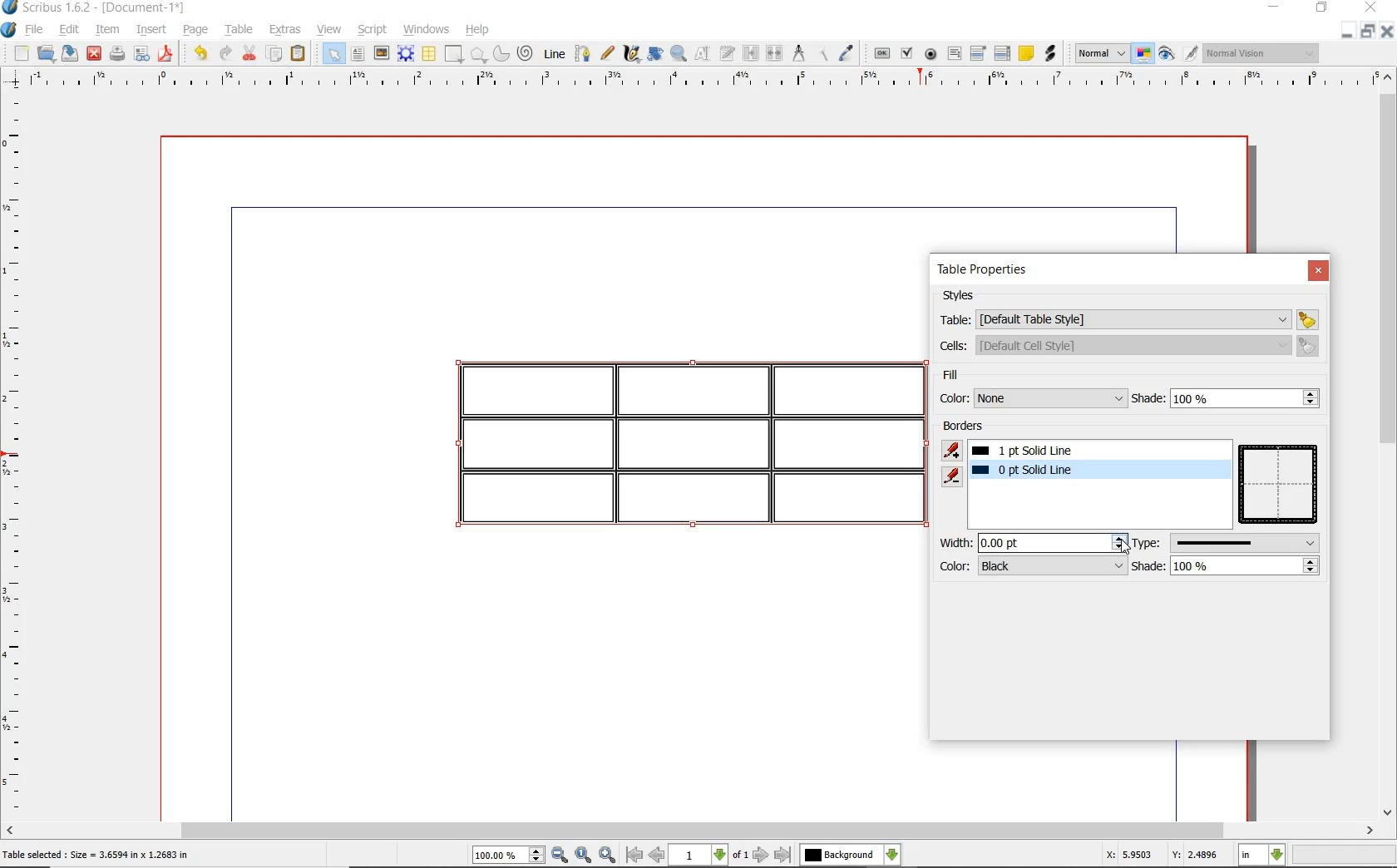 Image resolution: width=1397 pixels, height=868 pixels. Describe the element at coordinates (608, 55) in the screenshot. I see `freehand line` at that location.